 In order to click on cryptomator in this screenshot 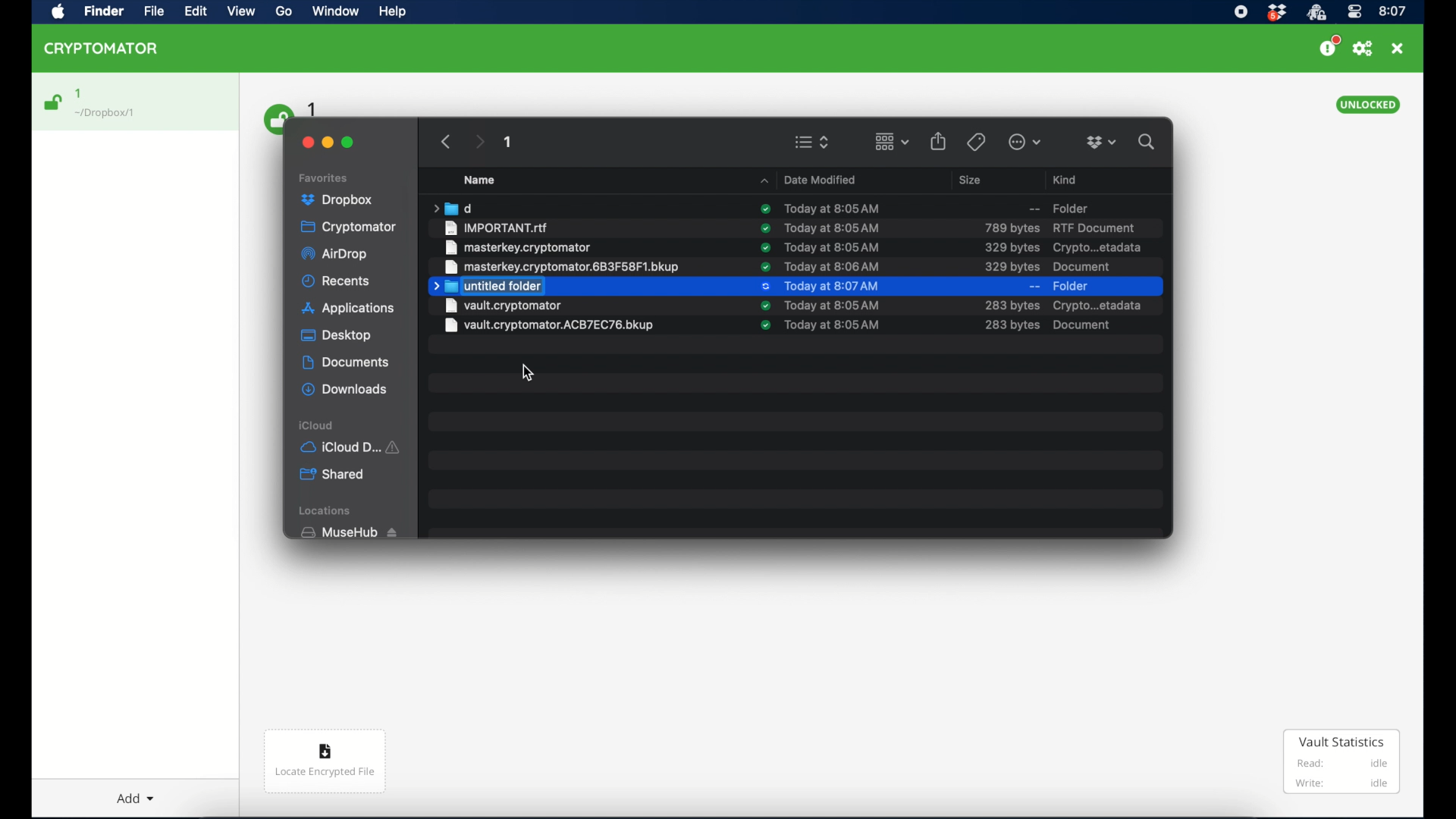, I will do `click(350, 227)`.